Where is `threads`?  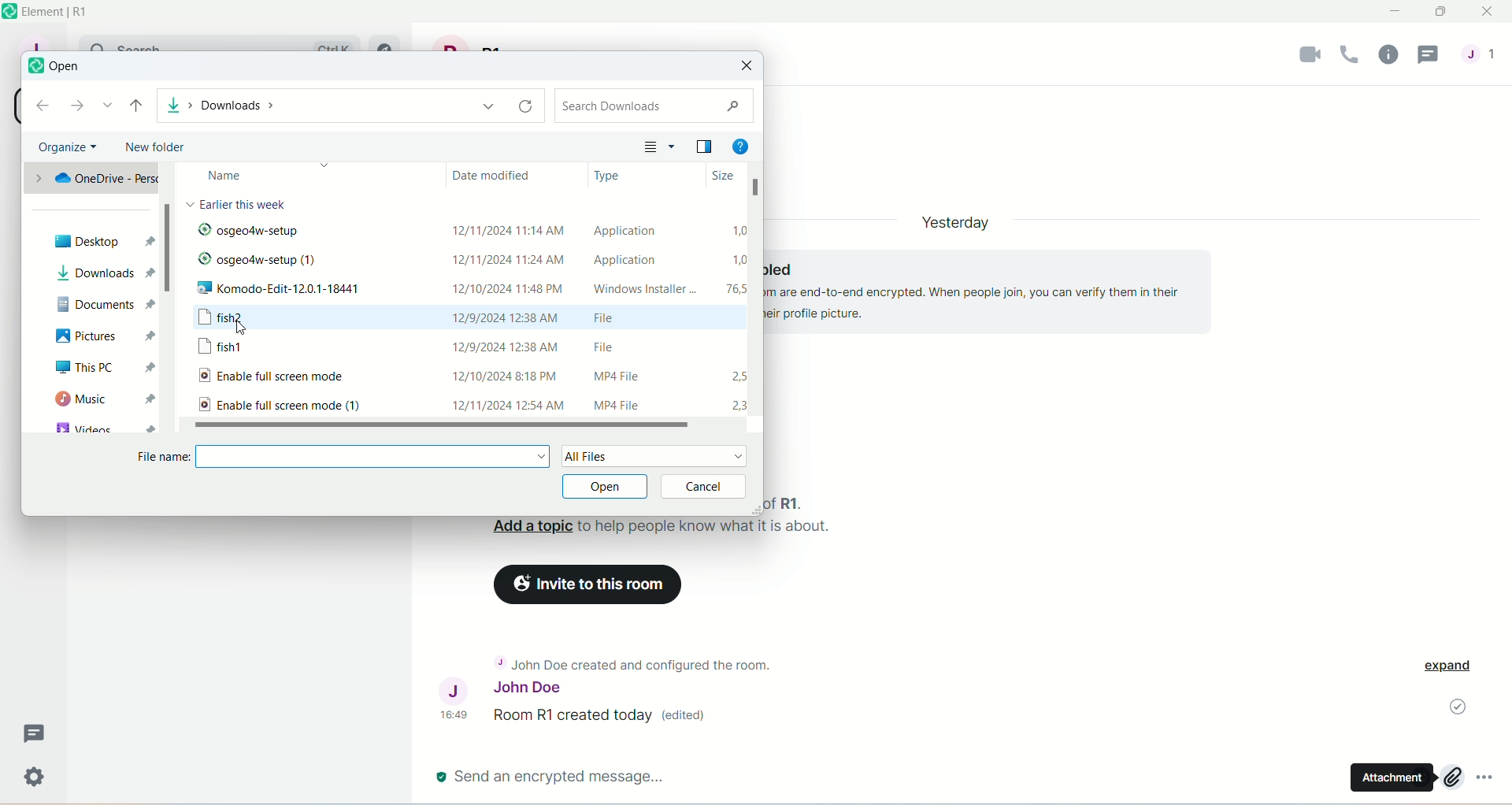
threads is located at coordinates (1432, 54).